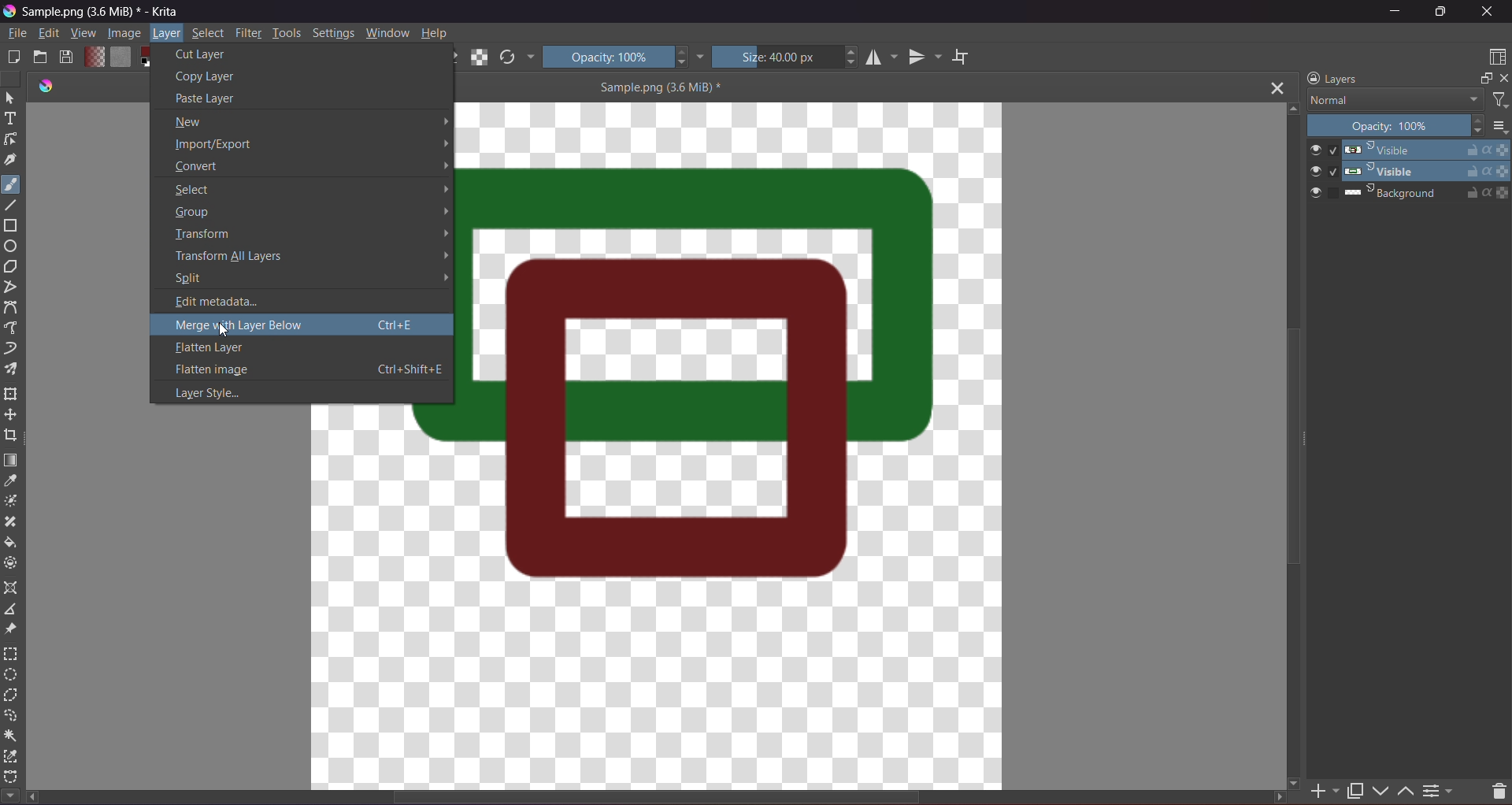 Image resolution: width=1512 pixels, height=805 pixels. Describe the element at coordinates (1393, 100) in the screenshot. I see `Blending Mode` at that location.